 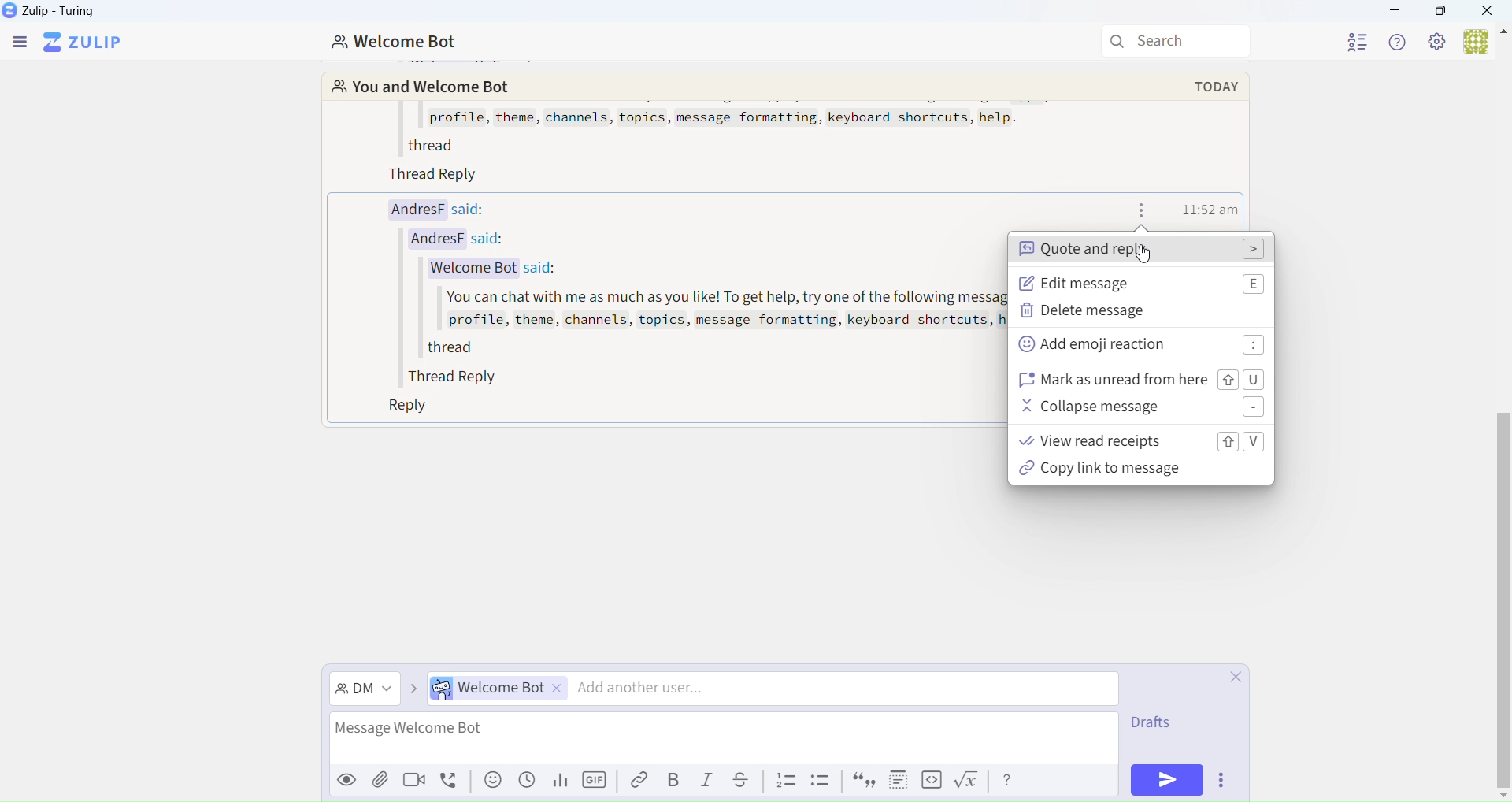 I want to click on , so click(x=1395, y=13).